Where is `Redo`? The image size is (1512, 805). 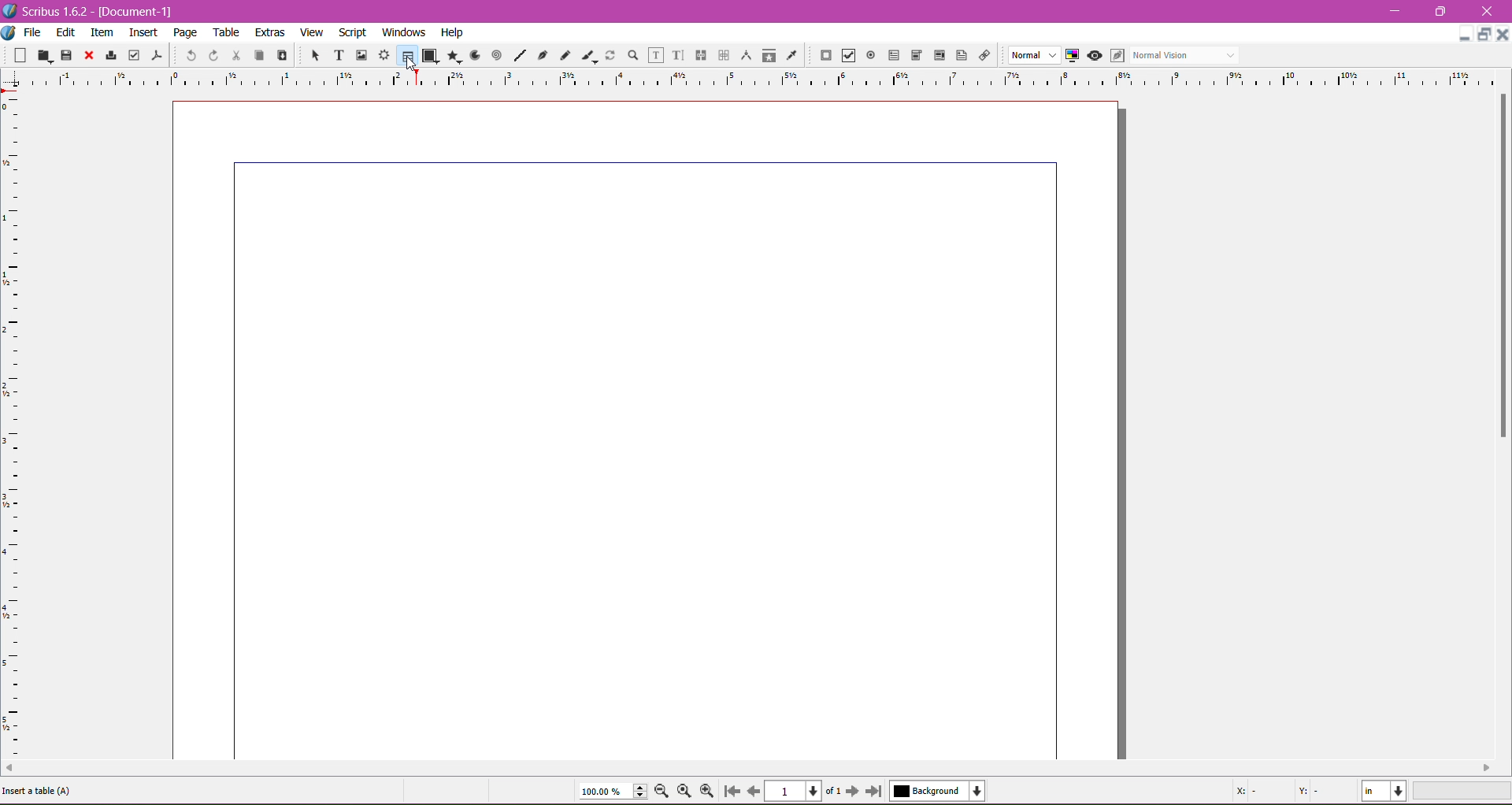 Redo is located at coordinates (211, 55).